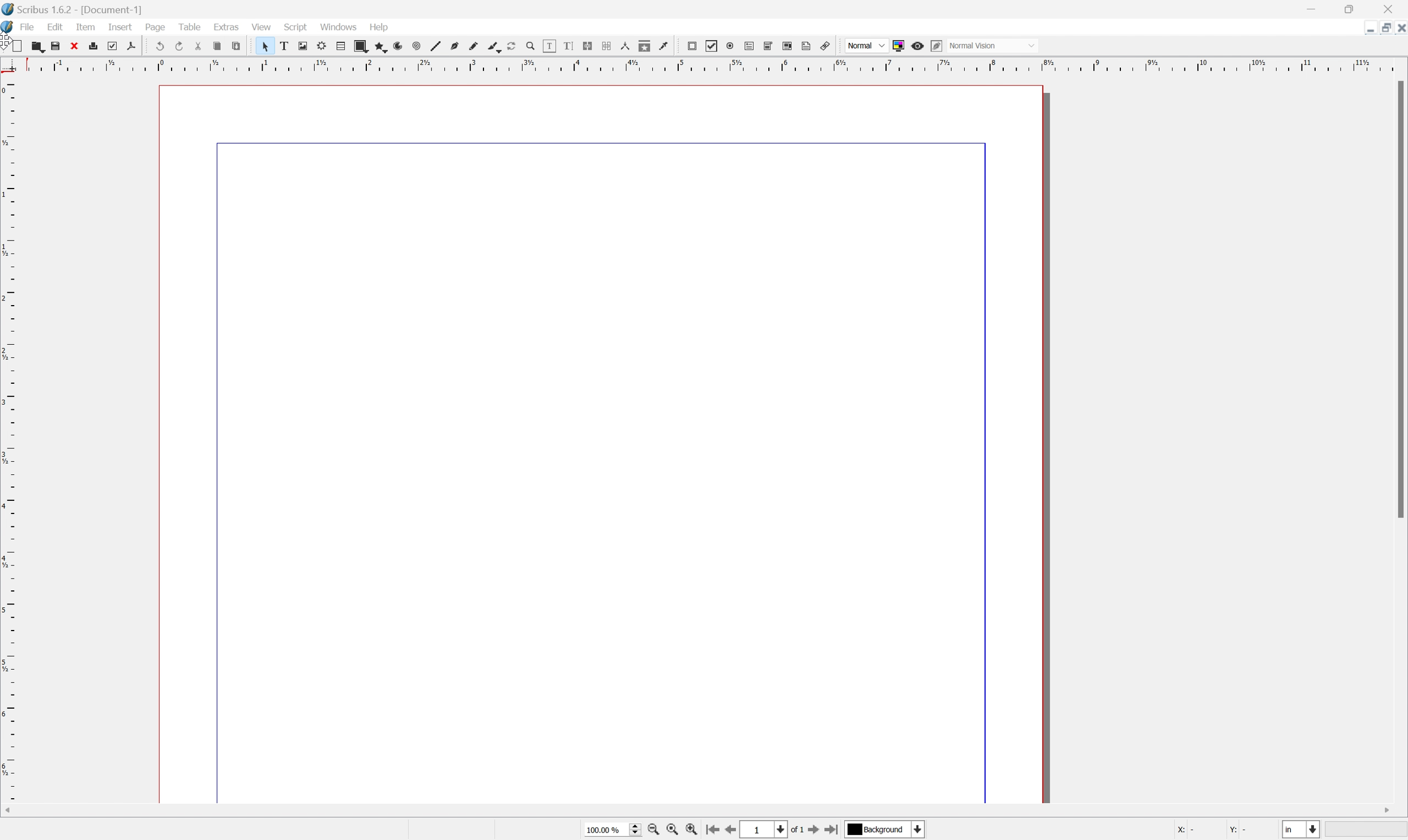 The image size is (1408, 840). I want to click on restore down, so click(1383, 29).